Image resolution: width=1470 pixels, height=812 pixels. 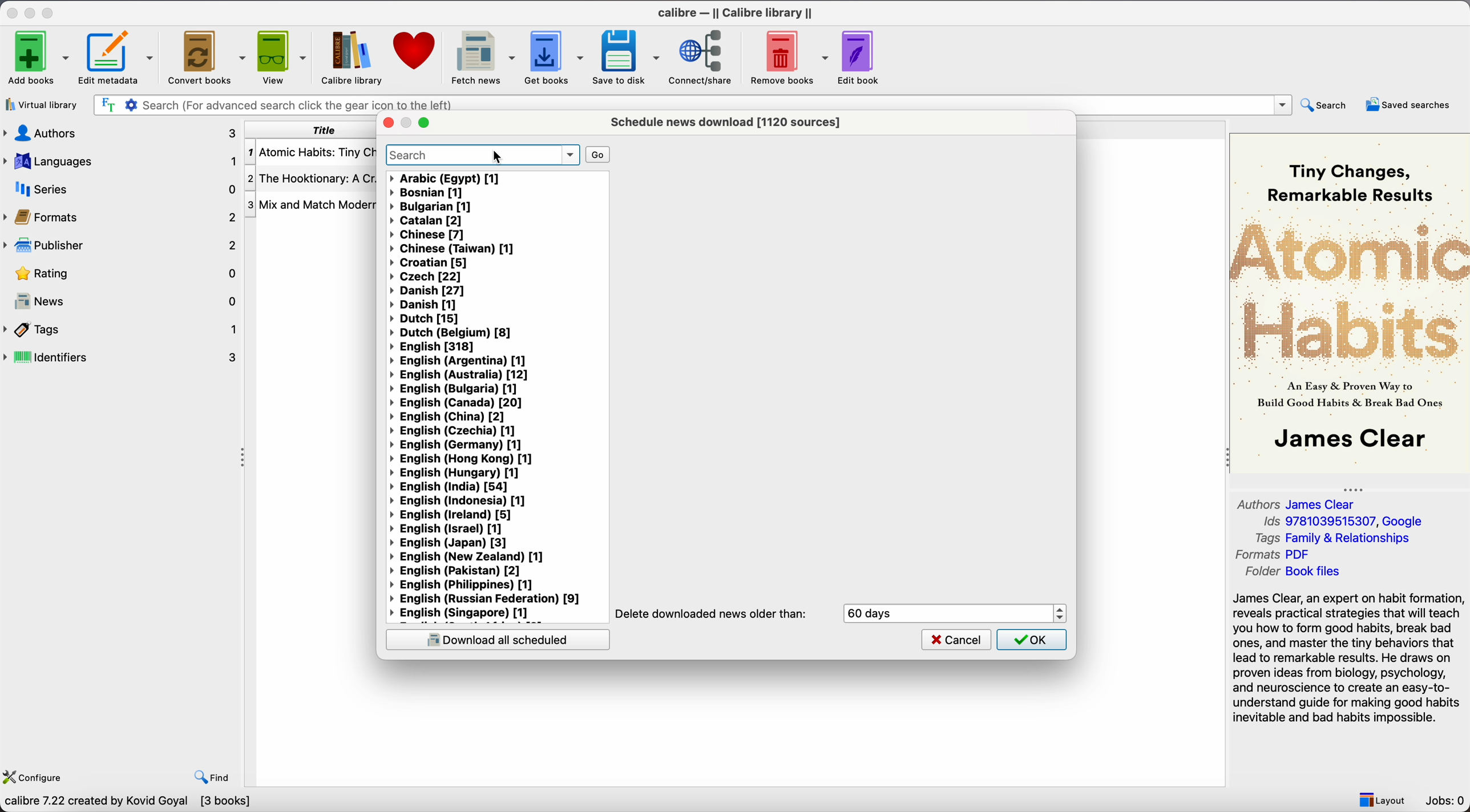 I want to click on Dutch (Belgium) [8], so click(x=454, y=333).